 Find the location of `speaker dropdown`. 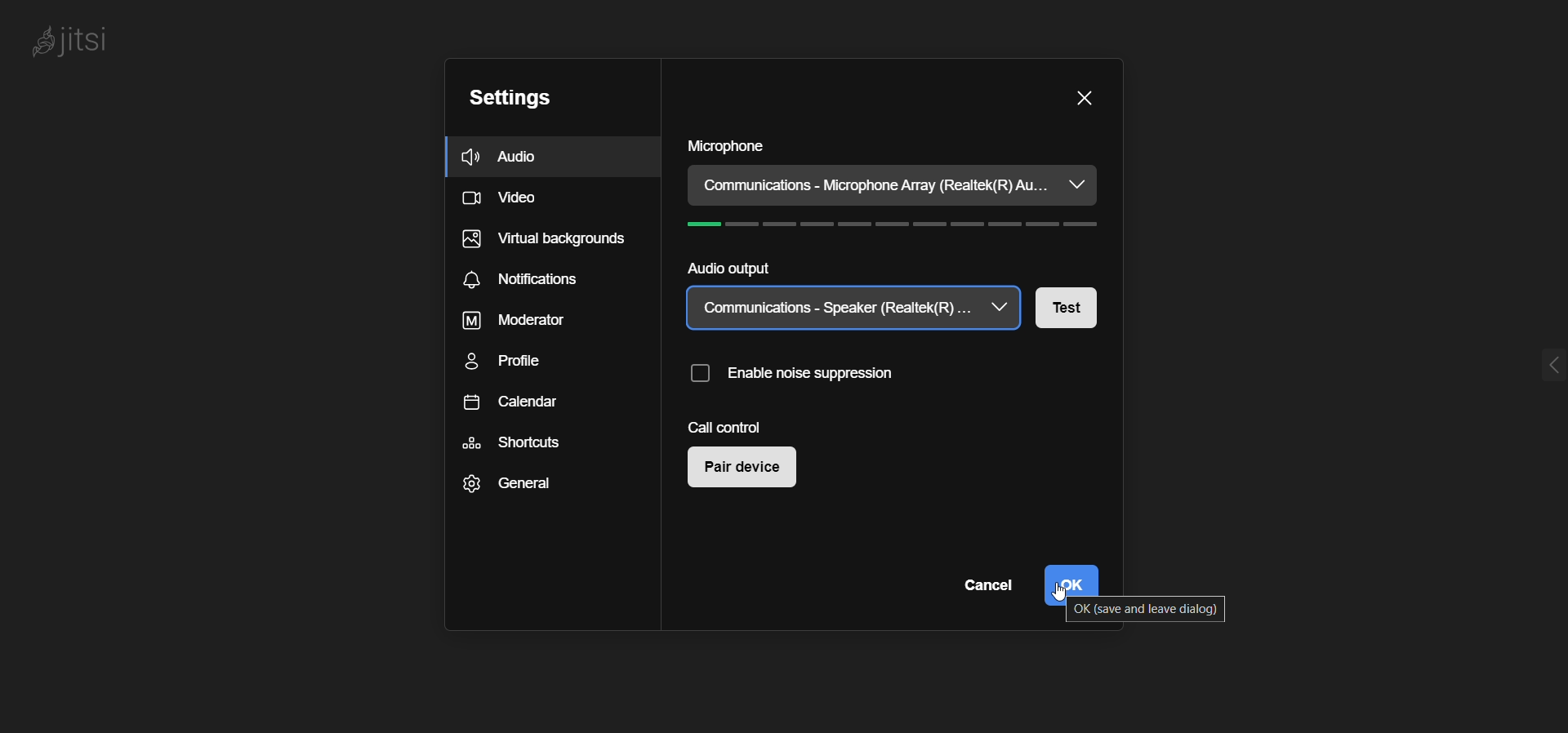

speaker dropdown is located at coordinates (1003, 309).